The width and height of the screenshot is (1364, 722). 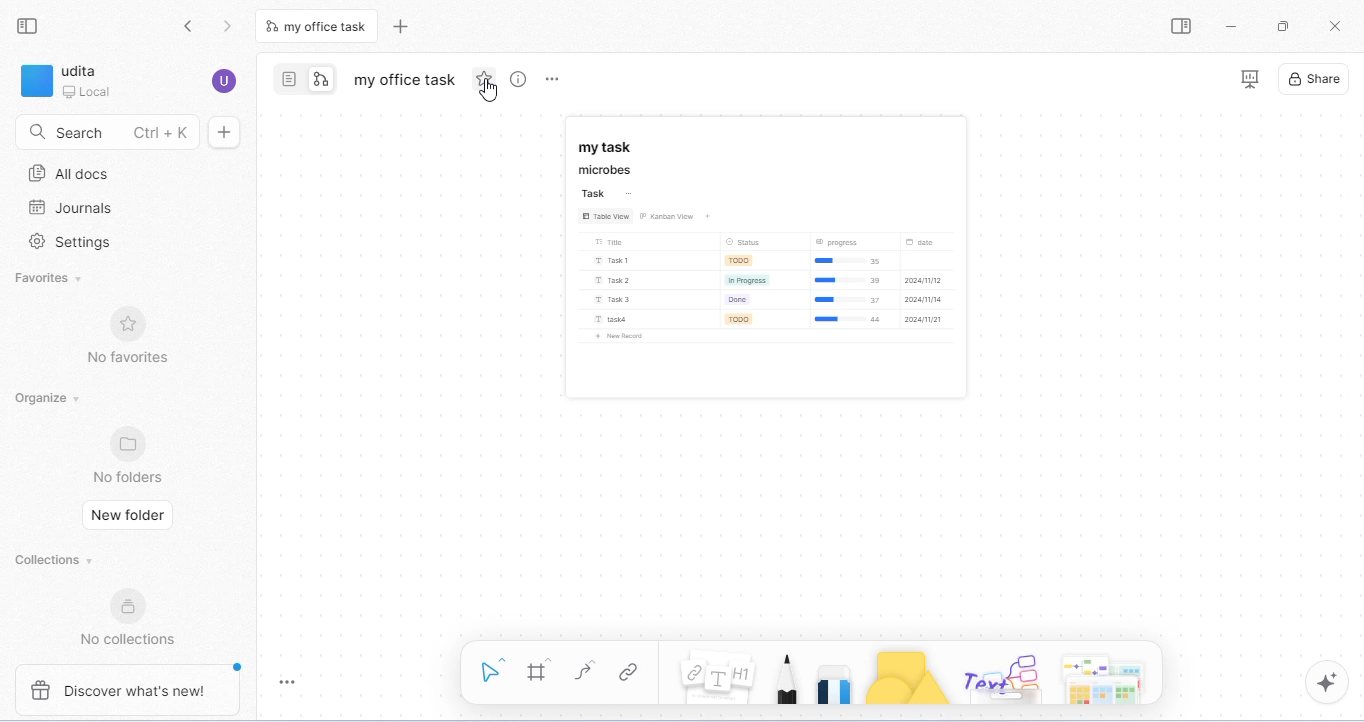 What do you see at coordinates (322, 79) in the screenshot?
I see `edgeless mode ` at bounding box center [322, 79].